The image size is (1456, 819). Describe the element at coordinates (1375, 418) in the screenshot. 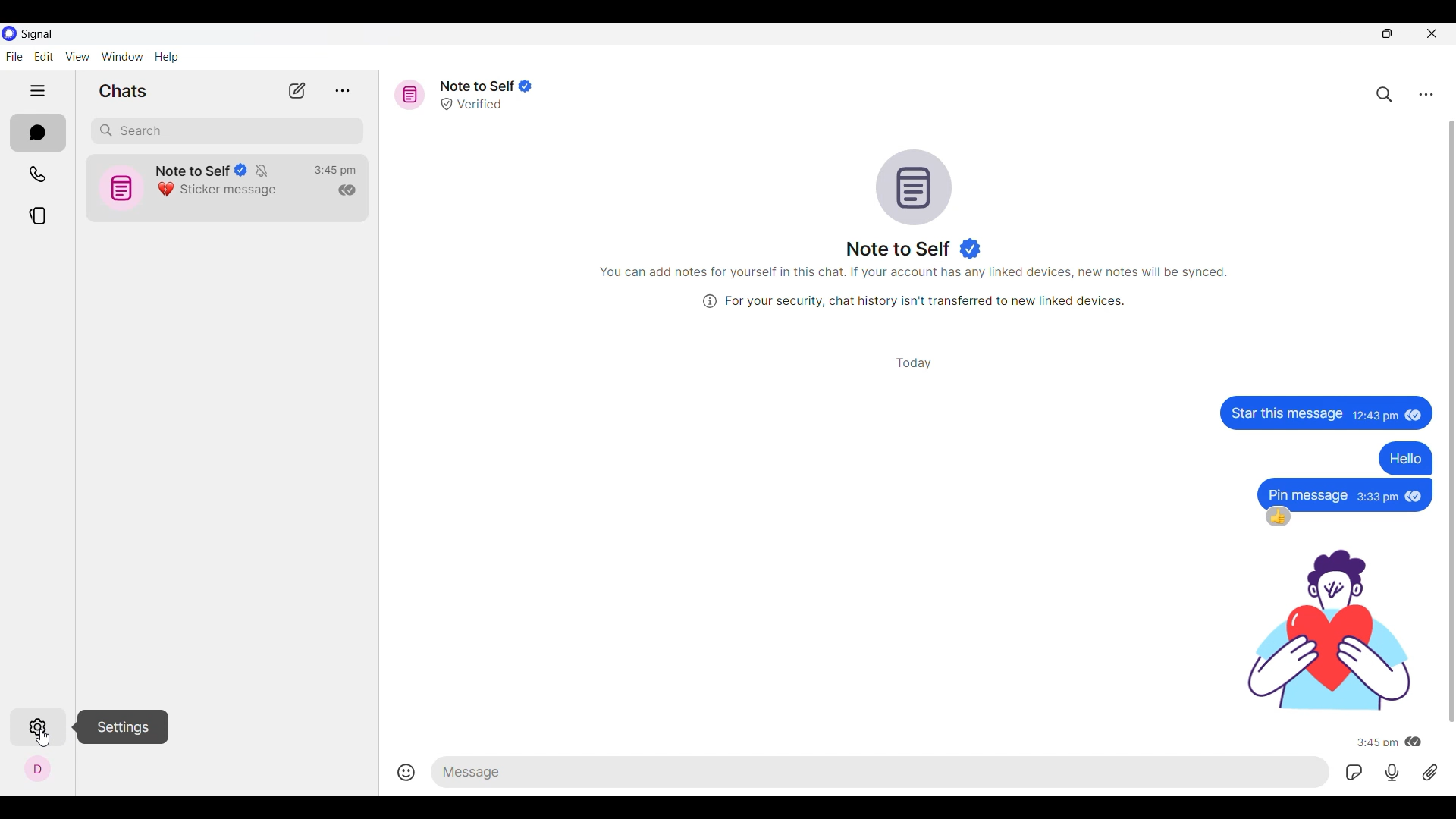

I see `Time of  message` at that location.